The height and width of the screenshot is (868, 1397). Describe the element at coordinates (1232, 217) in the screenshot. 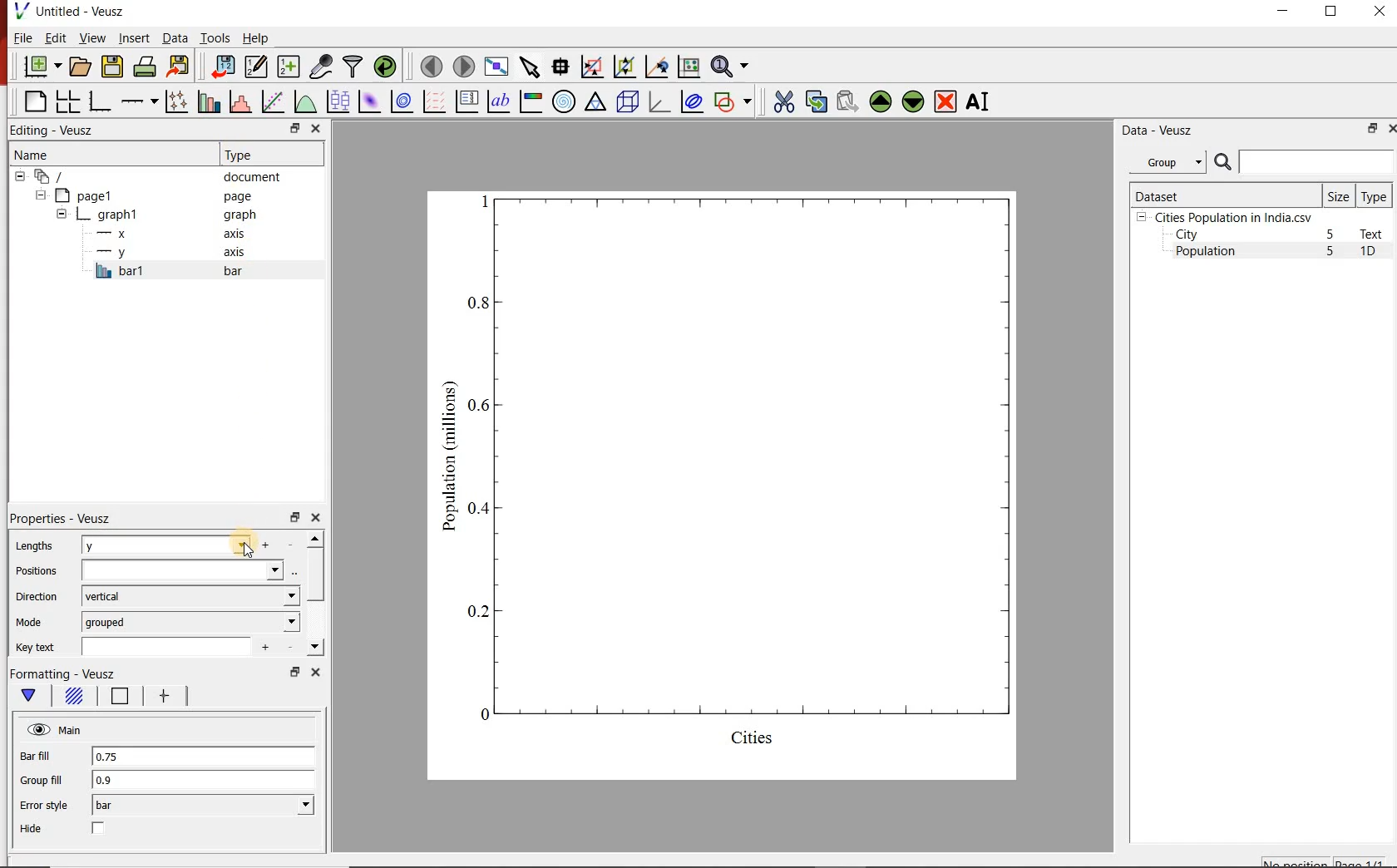

I see `Cities Population in India.csv` at that location.